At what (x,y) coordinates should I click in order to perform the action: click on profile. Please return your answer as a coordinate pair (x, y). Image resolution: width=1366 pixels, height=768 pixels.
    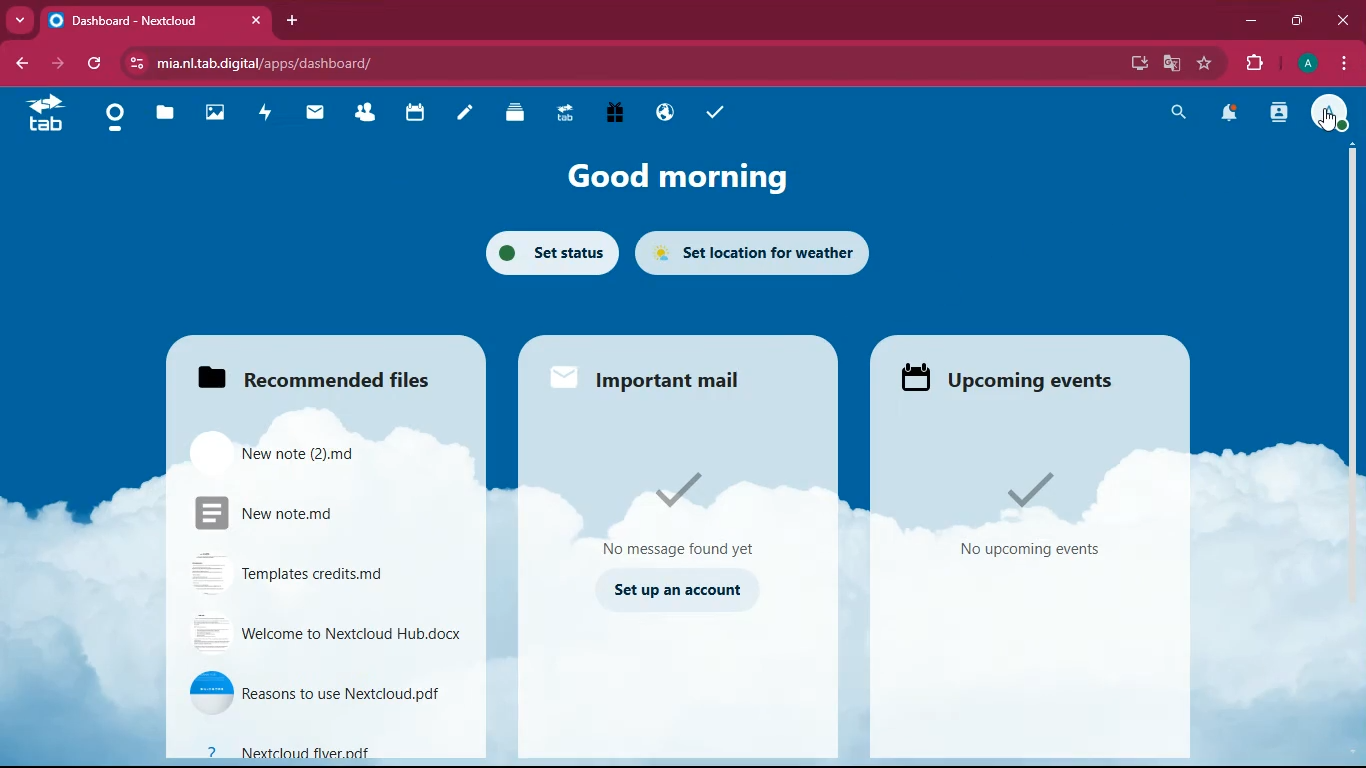
    Looking at the image, I should click on (1305, 65).